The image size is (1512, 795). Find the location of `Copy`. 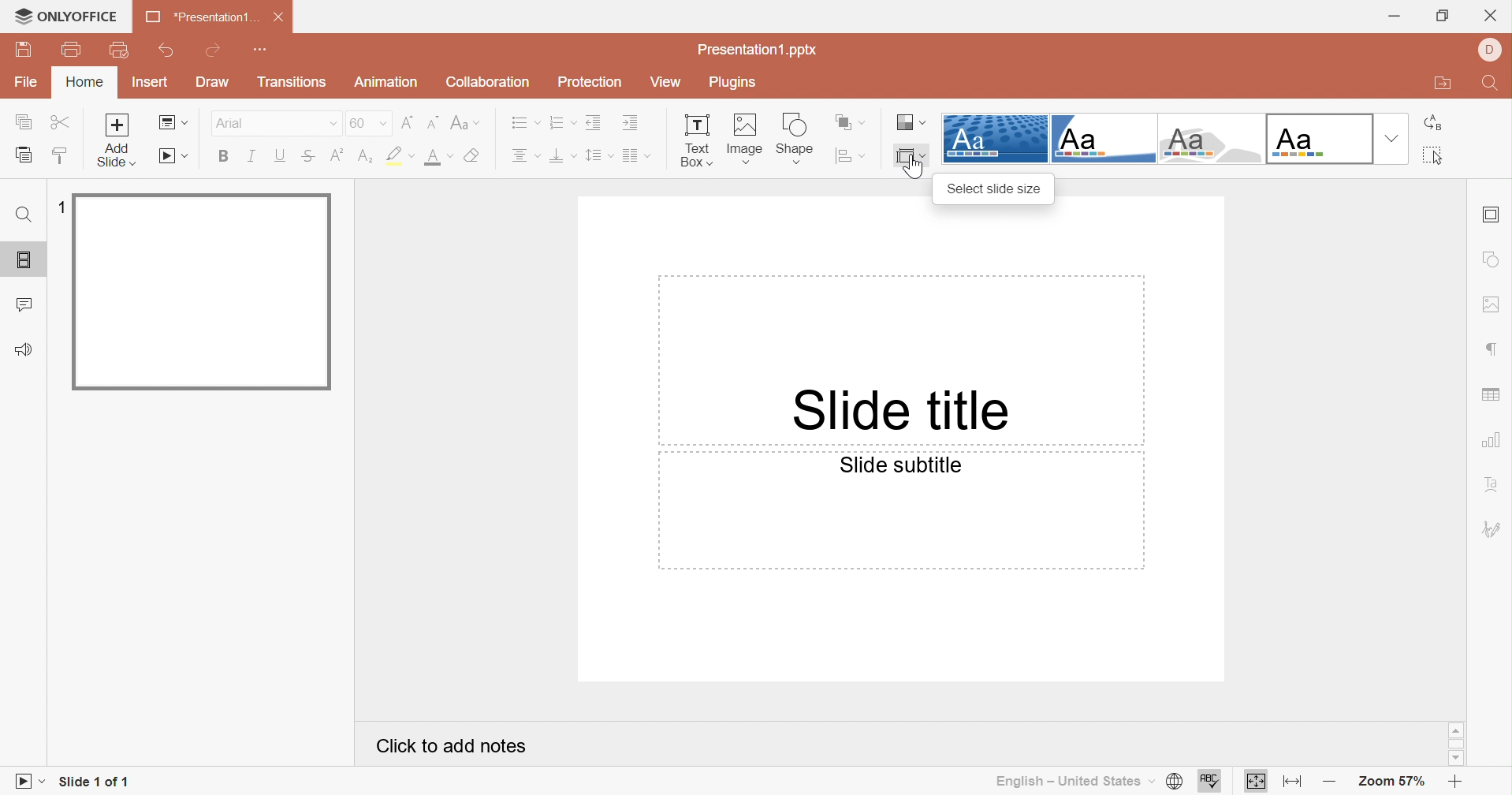

Copy is located at coordinates (23, 121).